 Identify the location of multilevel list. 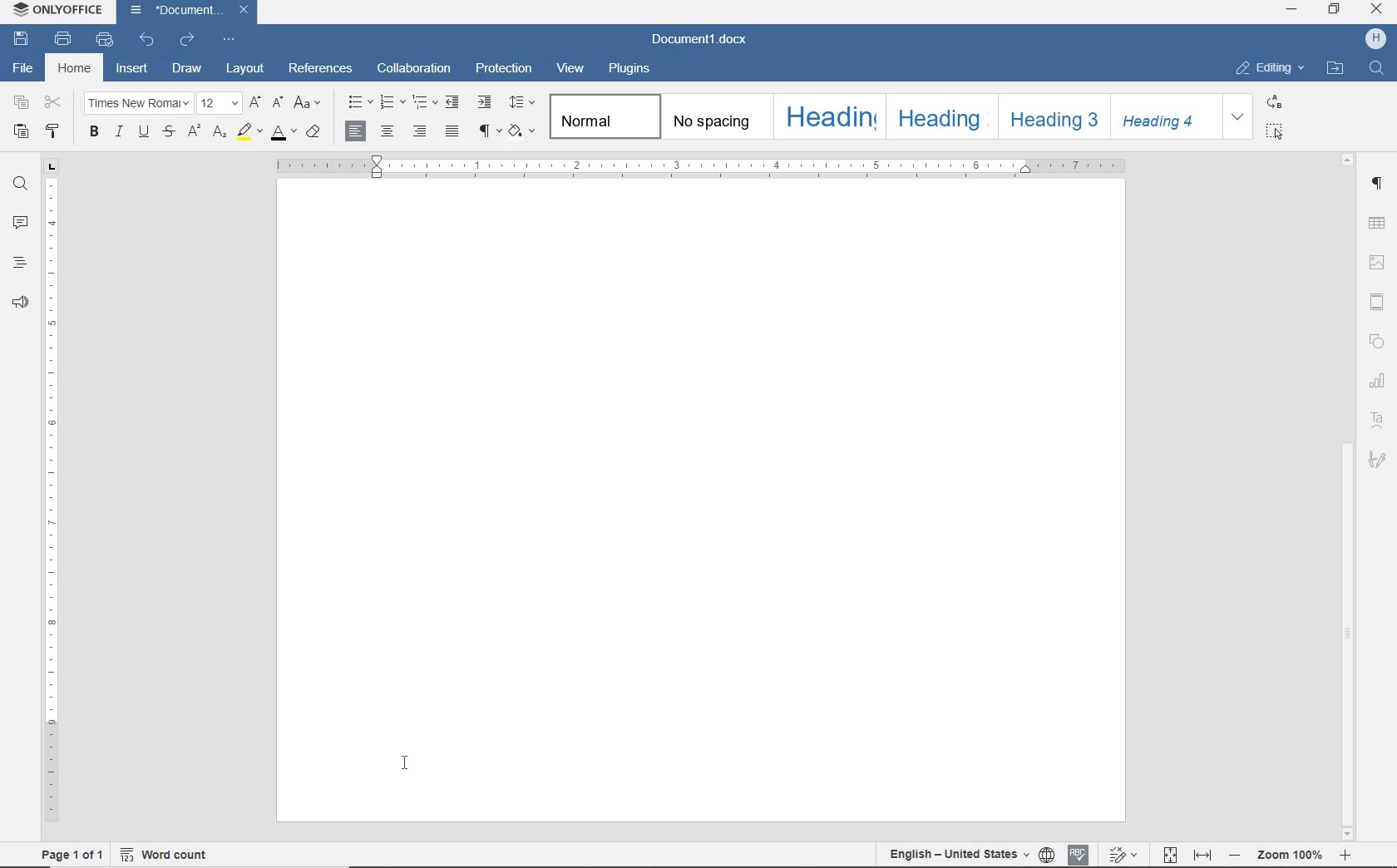
(426, 104).